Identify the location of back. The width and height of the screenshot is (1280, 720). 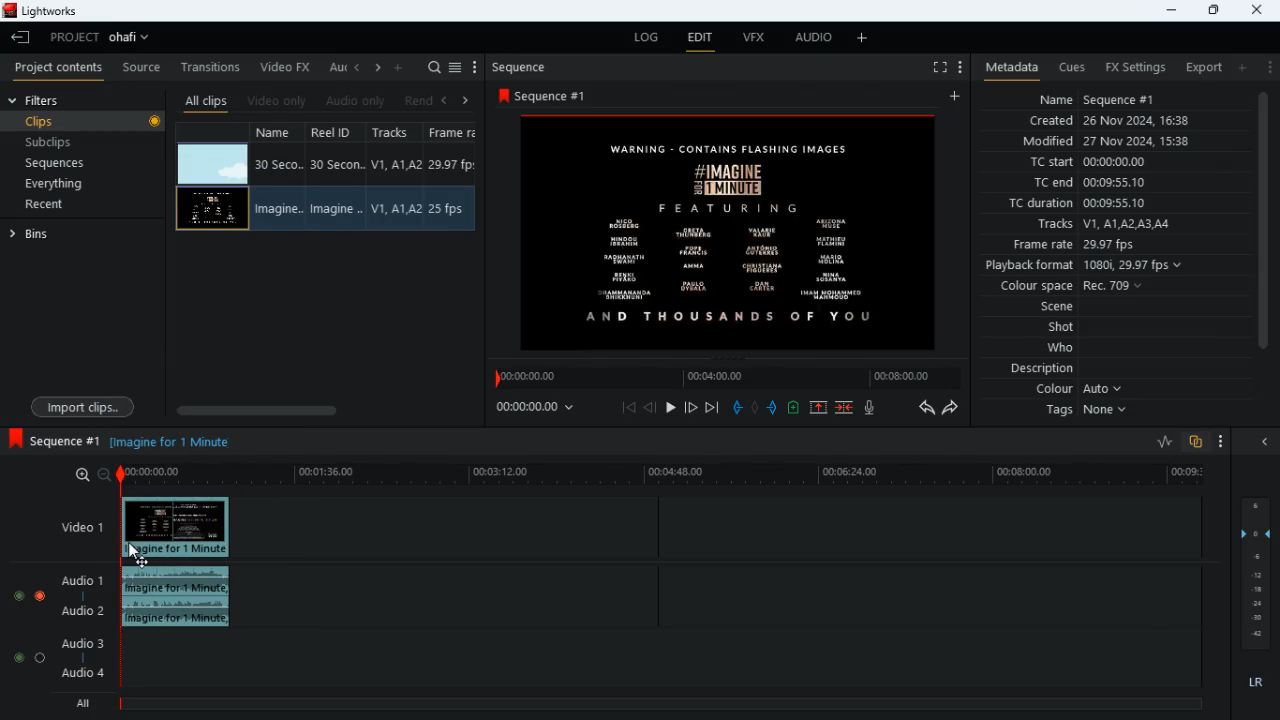
(650, 407).